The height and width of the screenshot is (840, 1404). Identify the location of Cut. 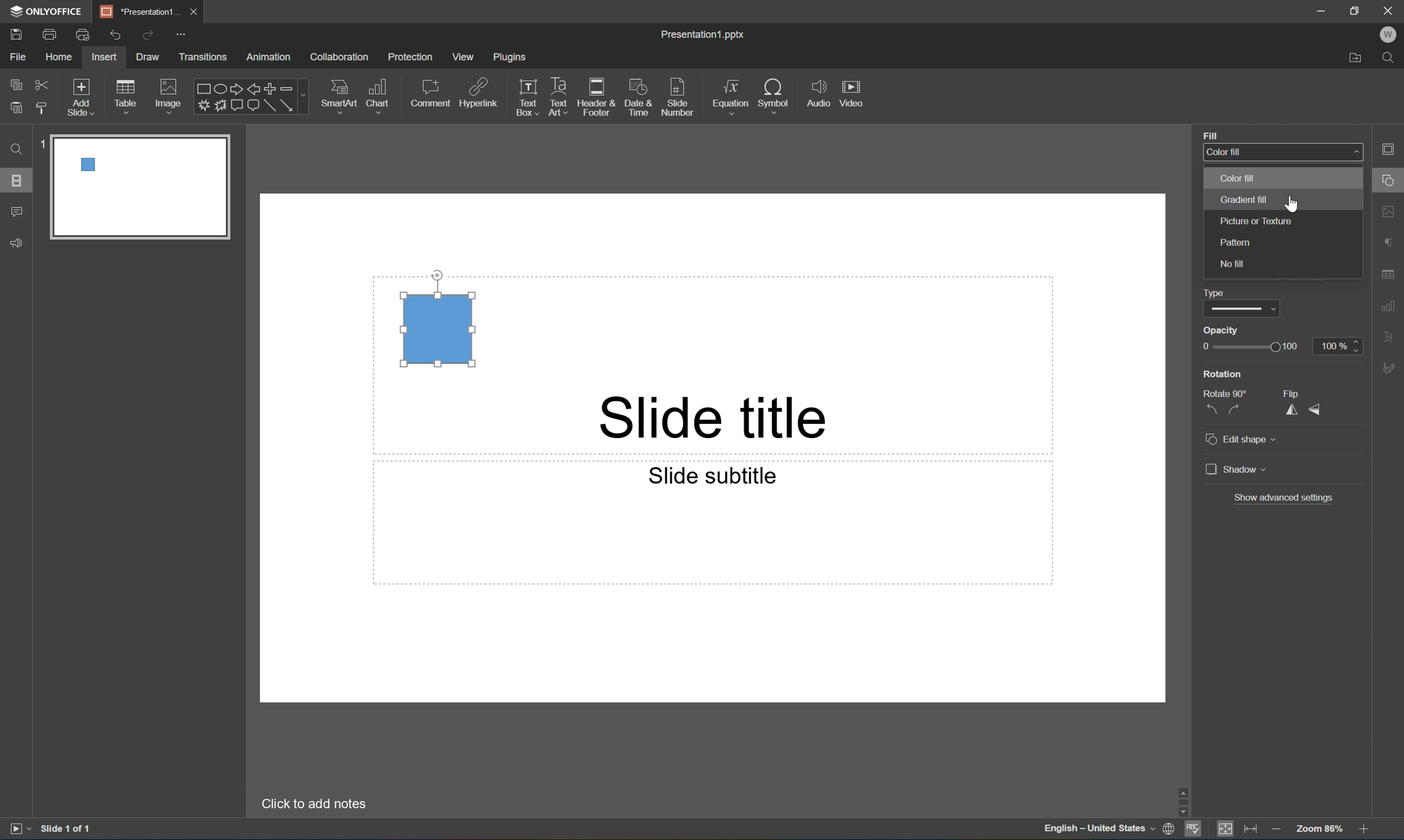
(42, 84).